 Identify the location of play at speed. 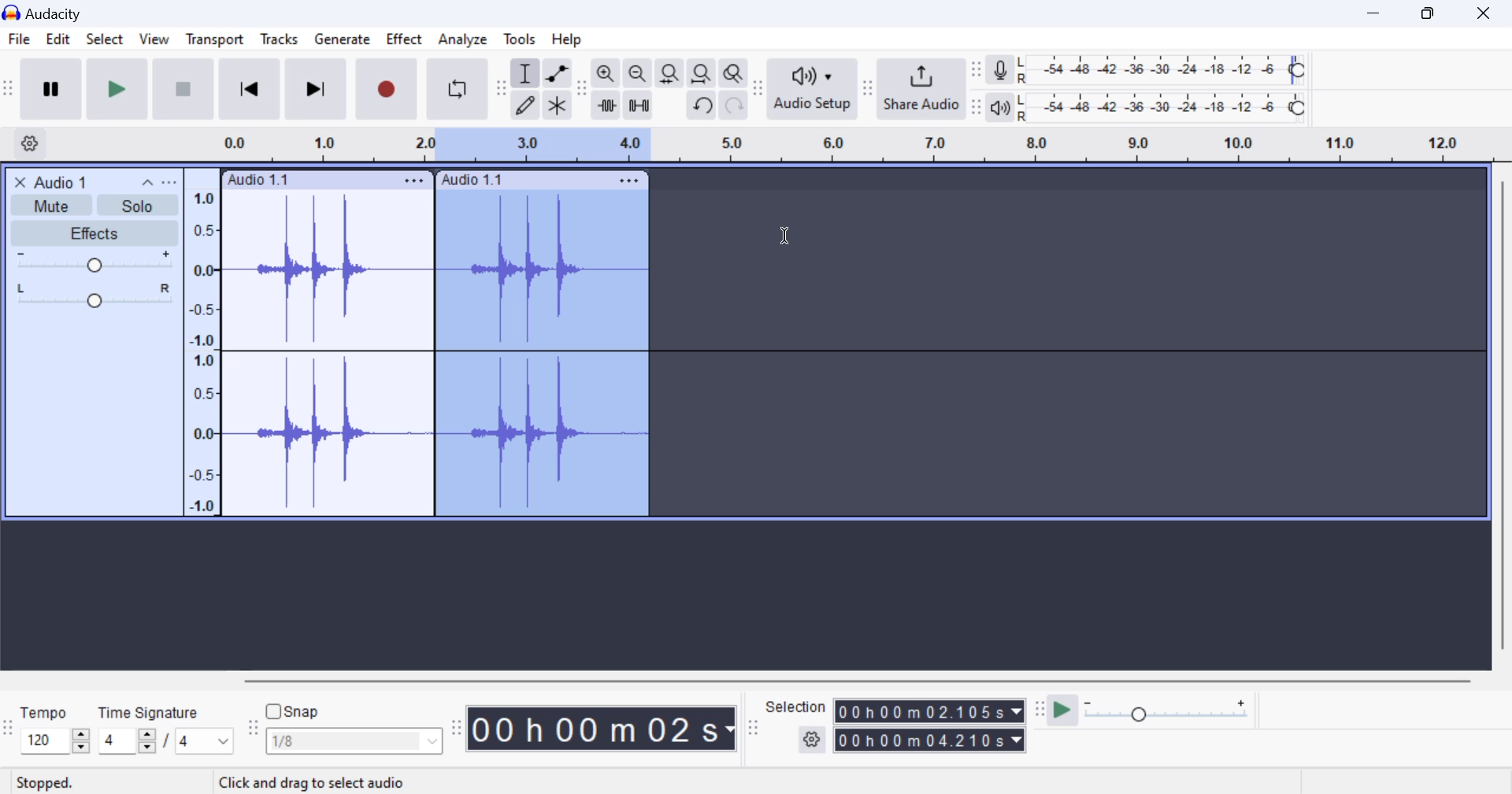
(1062, 711).